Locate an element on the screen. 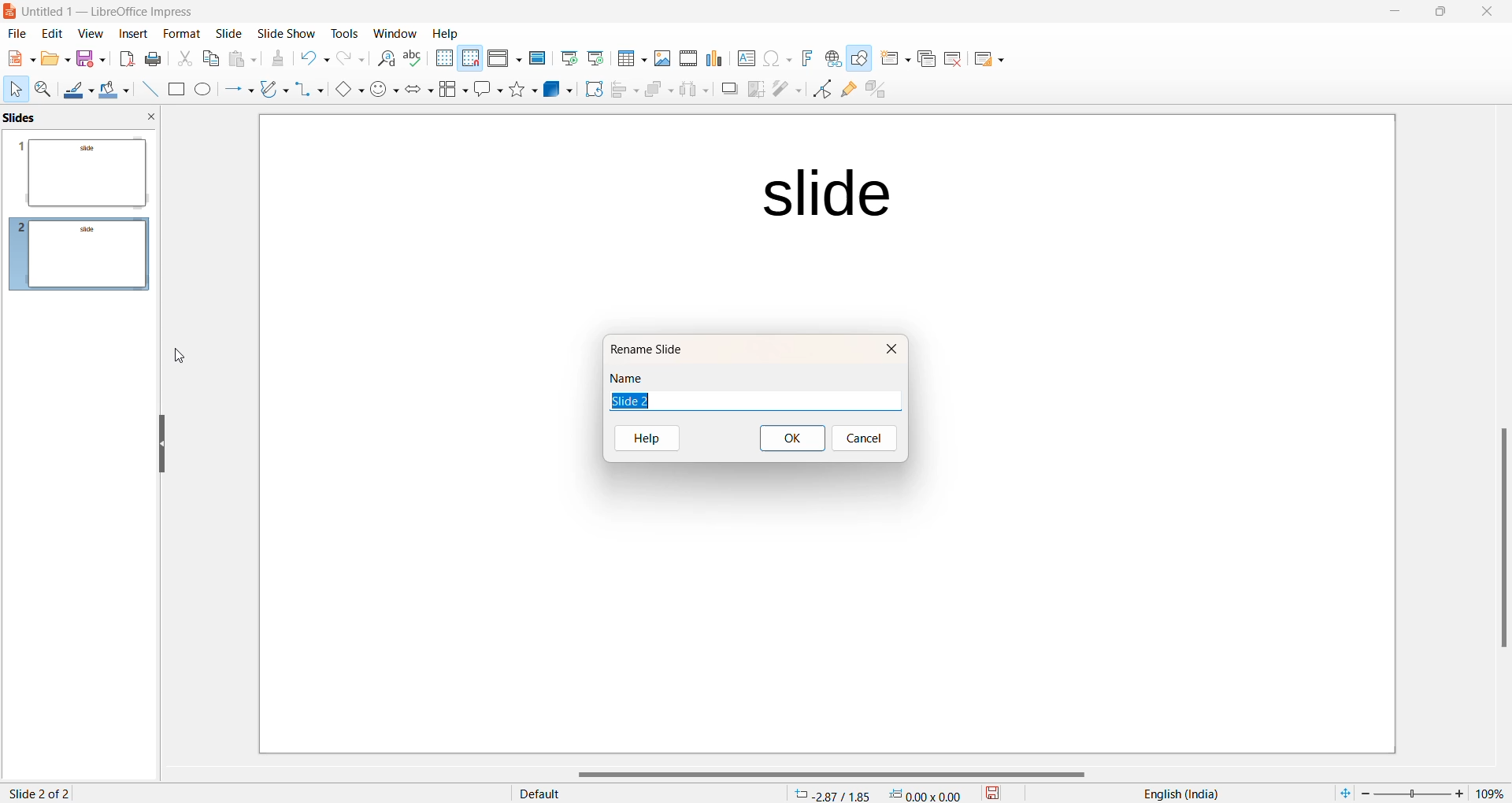  Master slide is located at coordinates (537, 58).